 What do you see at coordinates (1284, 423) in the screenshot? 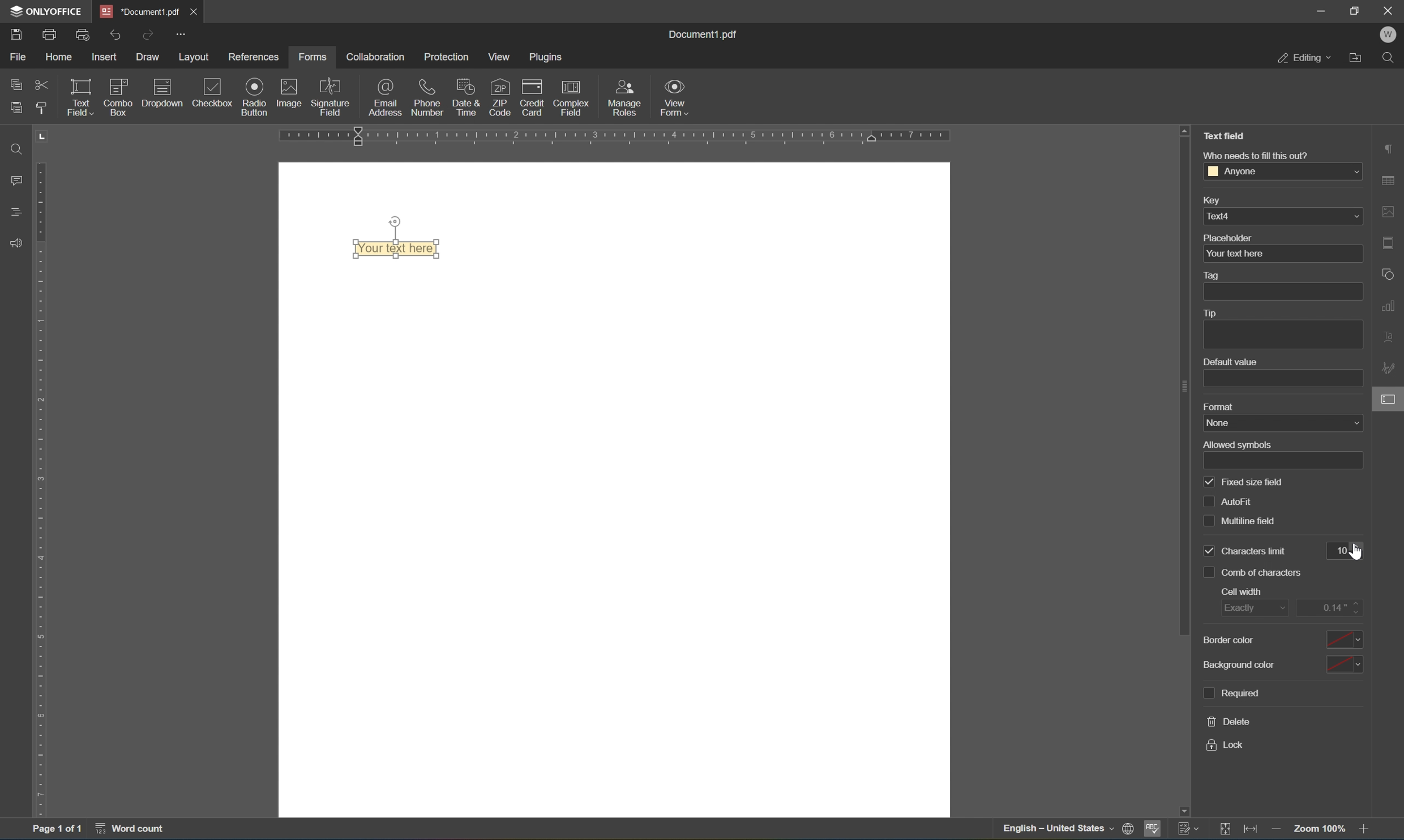
I see `none` at bounding box center [1284, 423].